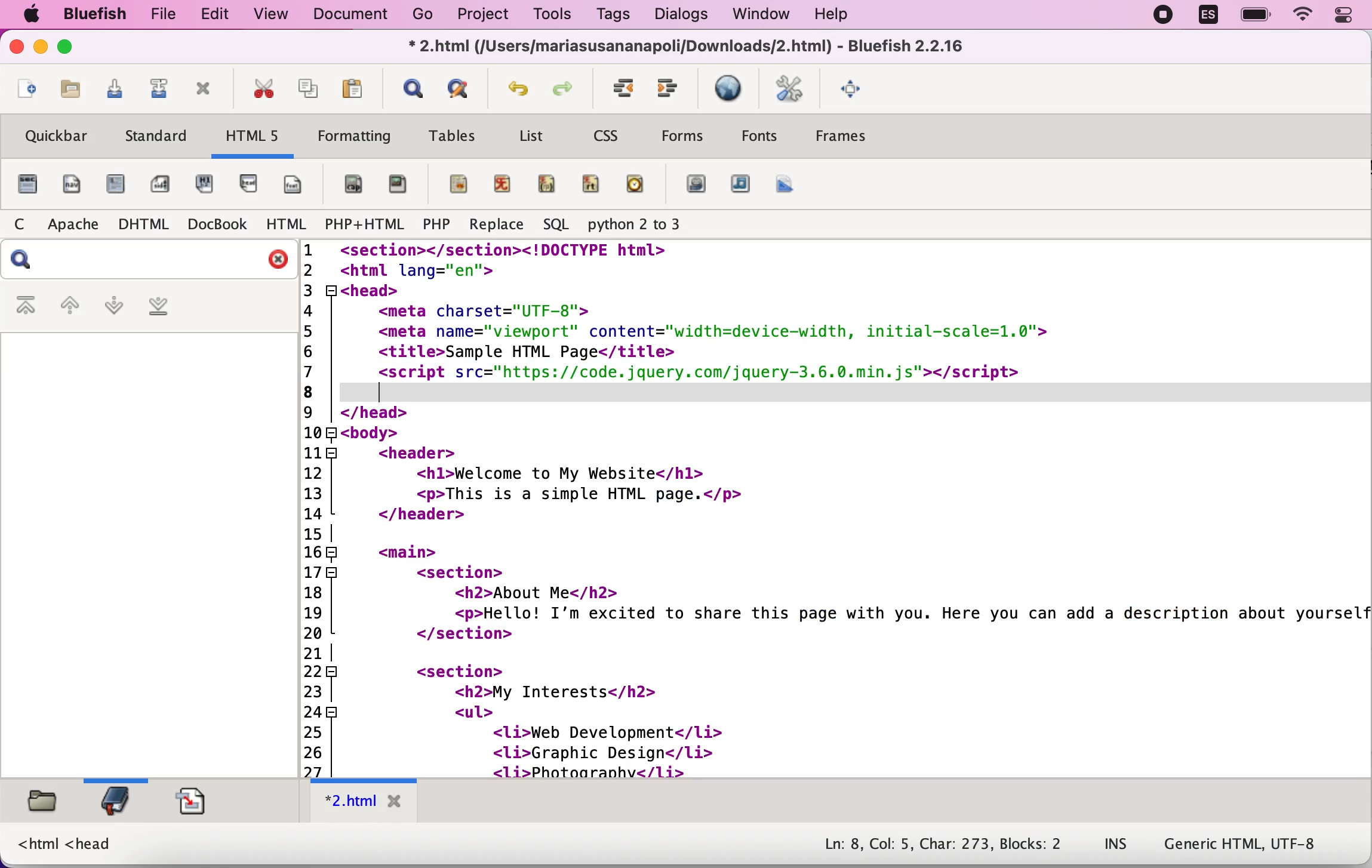  Describe the element at coordinates (548, 181) in the screenshot. I see `ruby parenthesis` at that location.